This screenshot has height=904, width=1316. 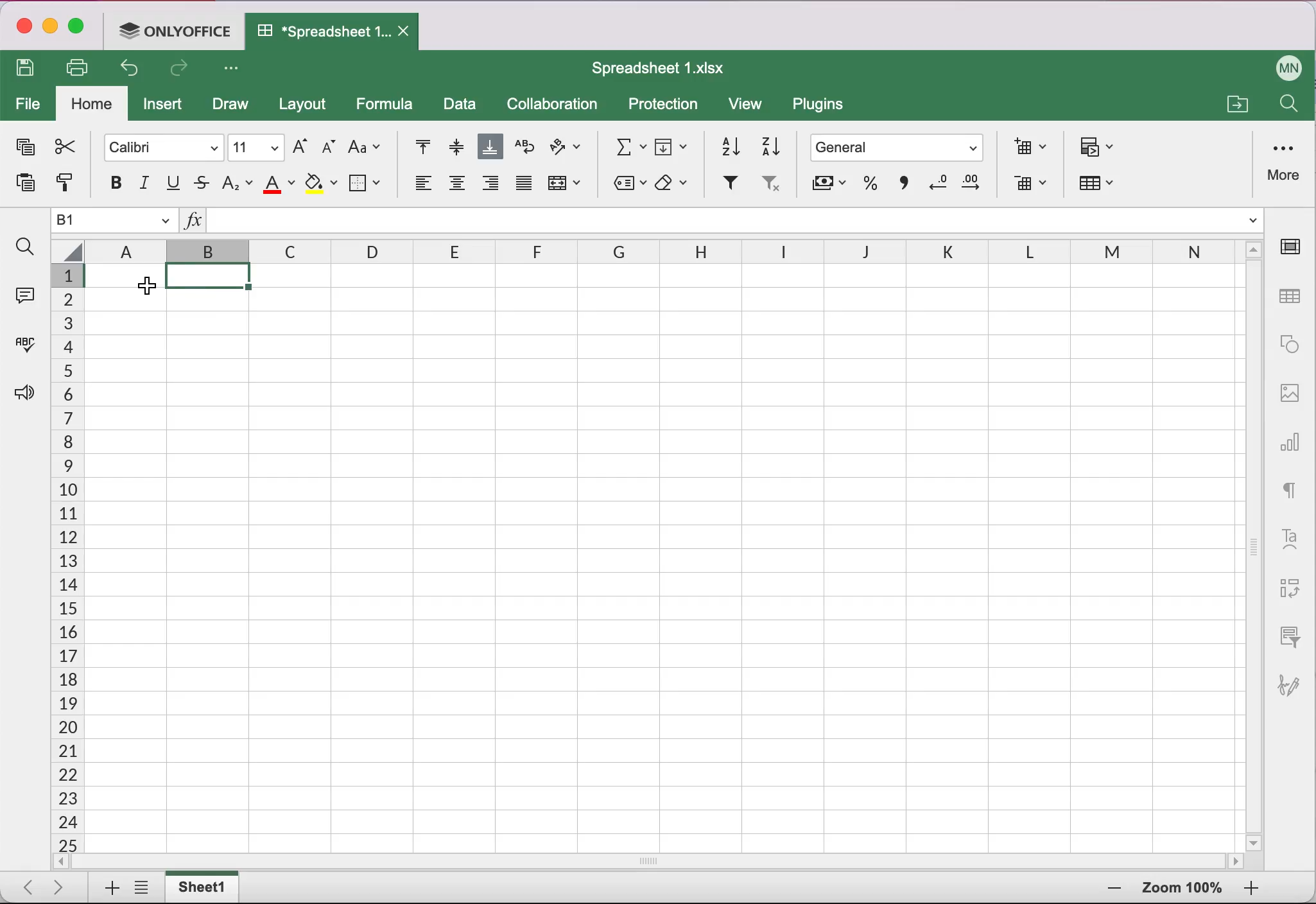 I want to click on filter, so click(x=729, y=184).